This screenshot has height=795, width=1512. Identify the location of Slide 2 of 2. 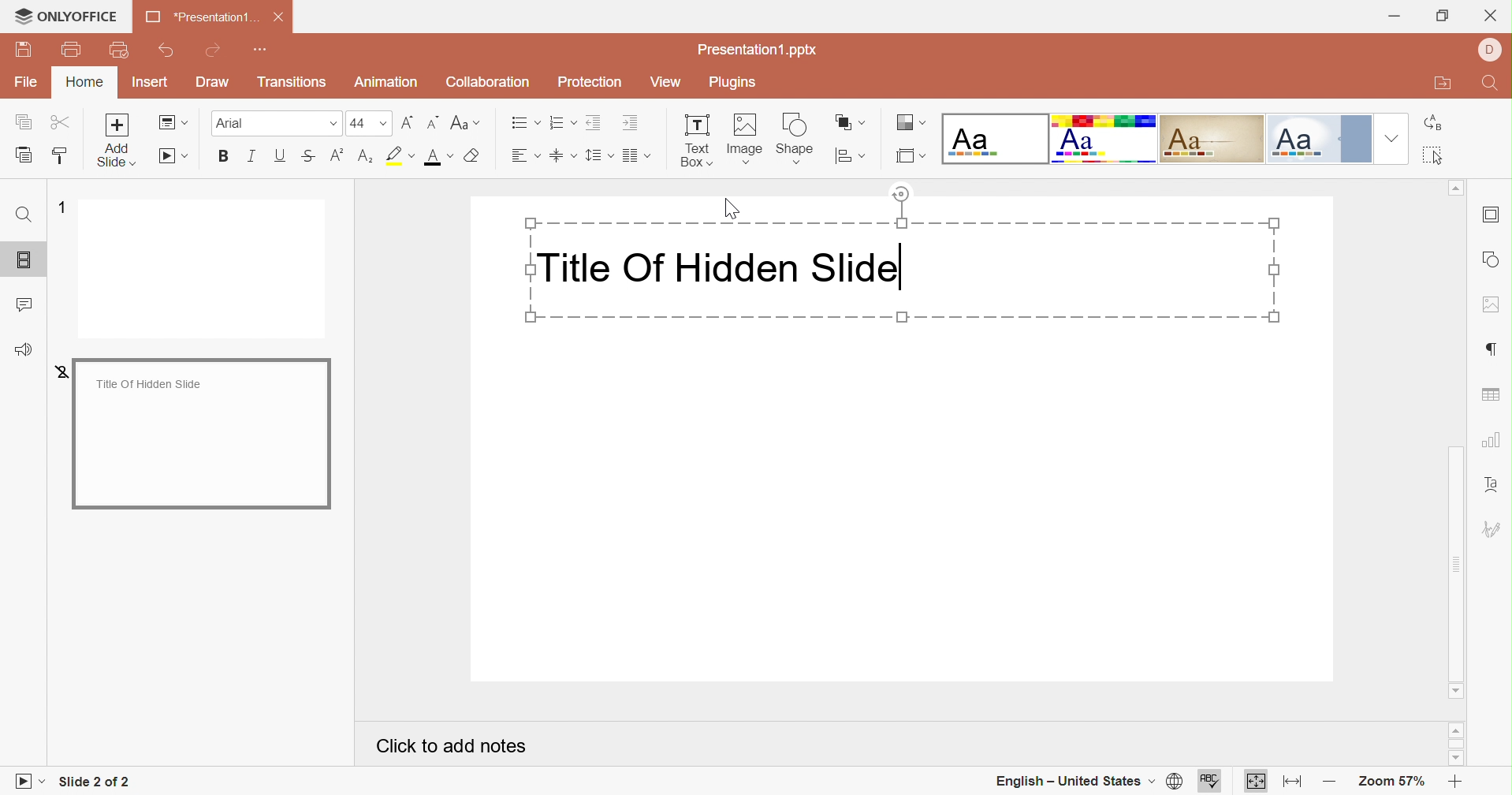
(98, 781).